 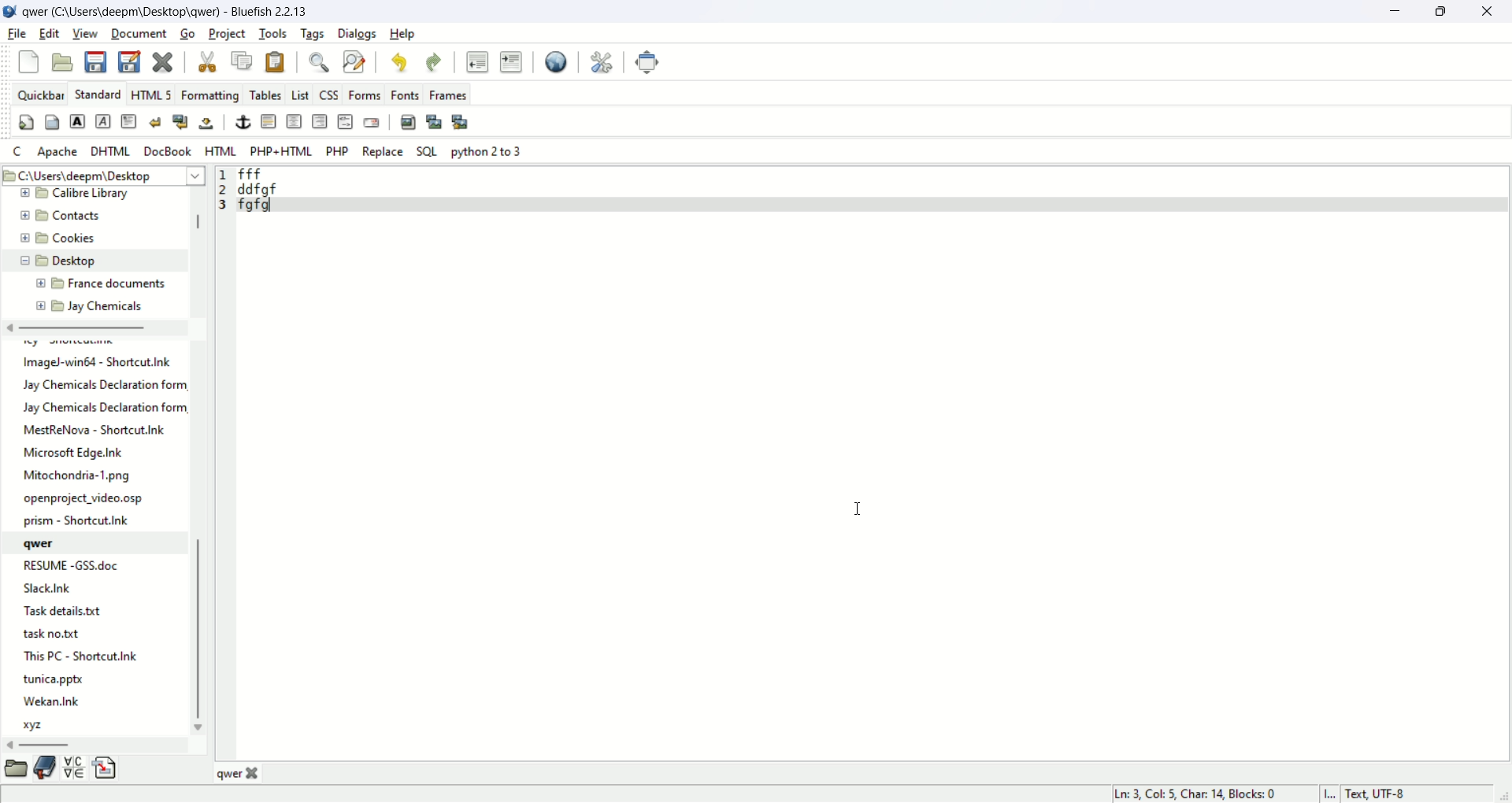 What do you see at coordinates (96, 431) in the screenshot?
I see `file` at bounding box center [96, 431].